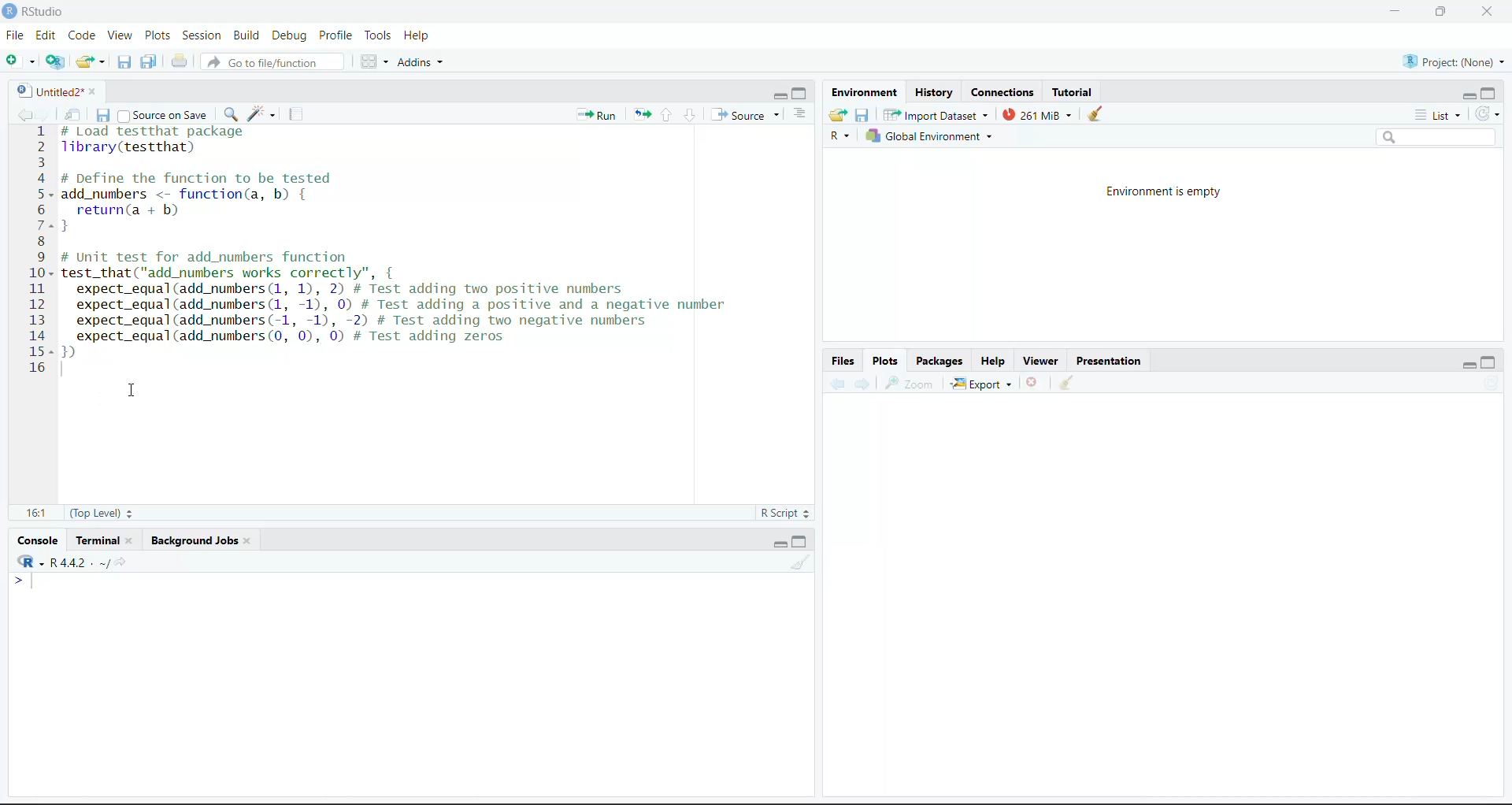 This screenshot has width=1512, height=805. I want to click on go back, so click(23, 114).